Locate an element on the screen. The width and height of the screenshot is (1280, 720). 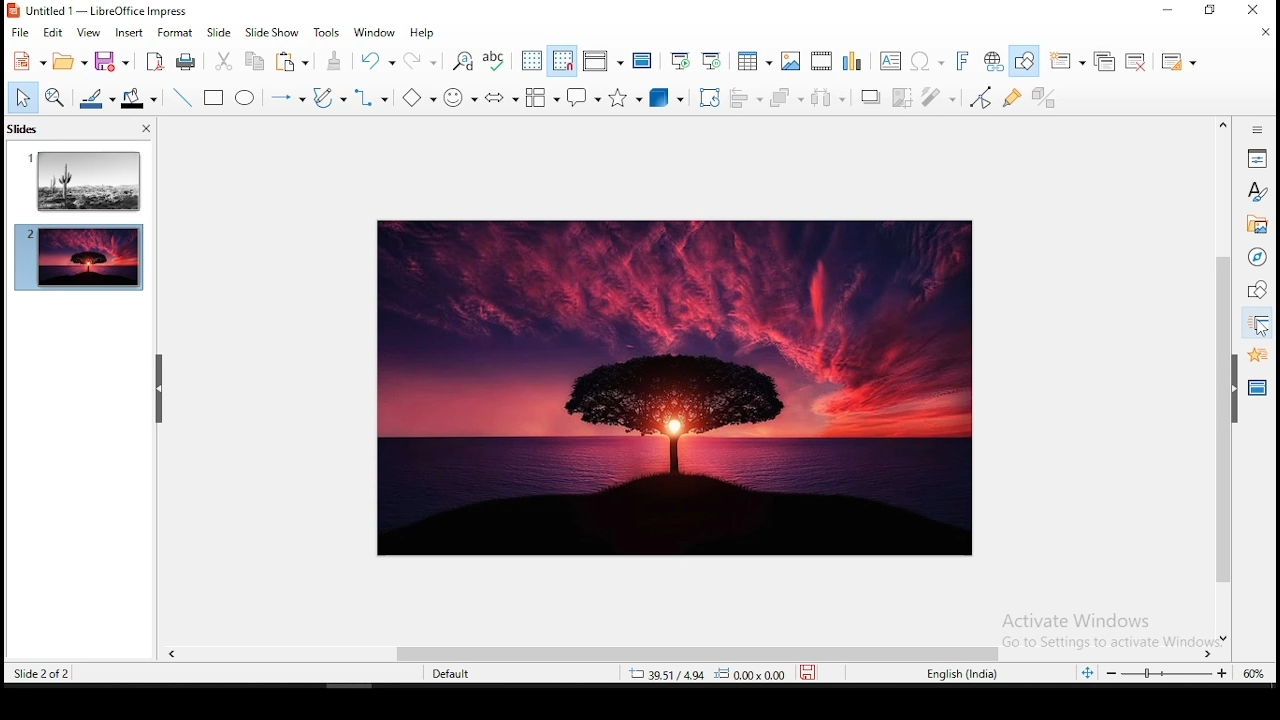
39.51/4.94 is located at coordinates (671, 674).